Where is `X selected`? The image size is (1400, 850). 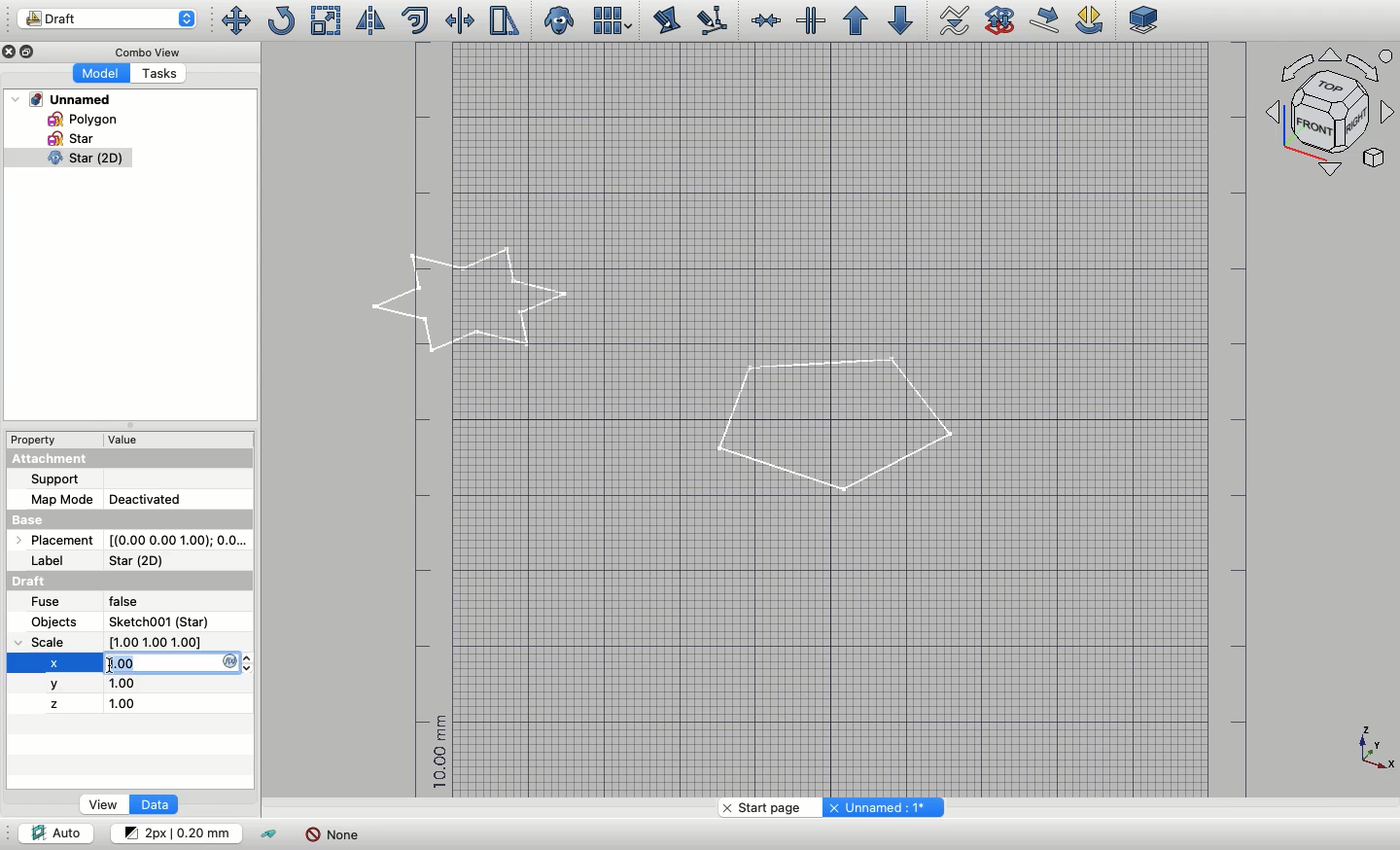
X selected is located at coordinates (53, 663).